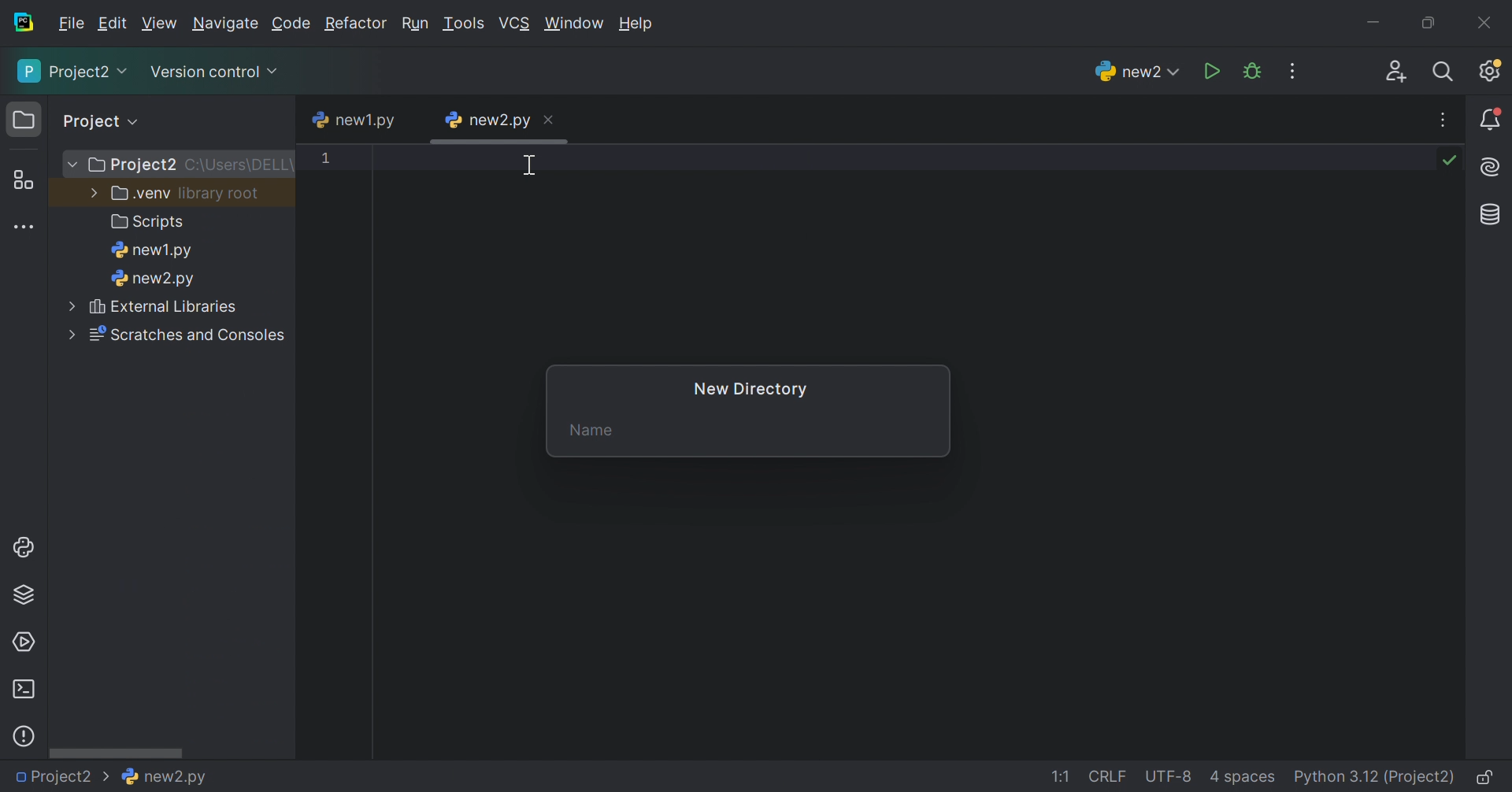 The image size is (1512, 792). I want to click on Scripts, so click(150, 220).